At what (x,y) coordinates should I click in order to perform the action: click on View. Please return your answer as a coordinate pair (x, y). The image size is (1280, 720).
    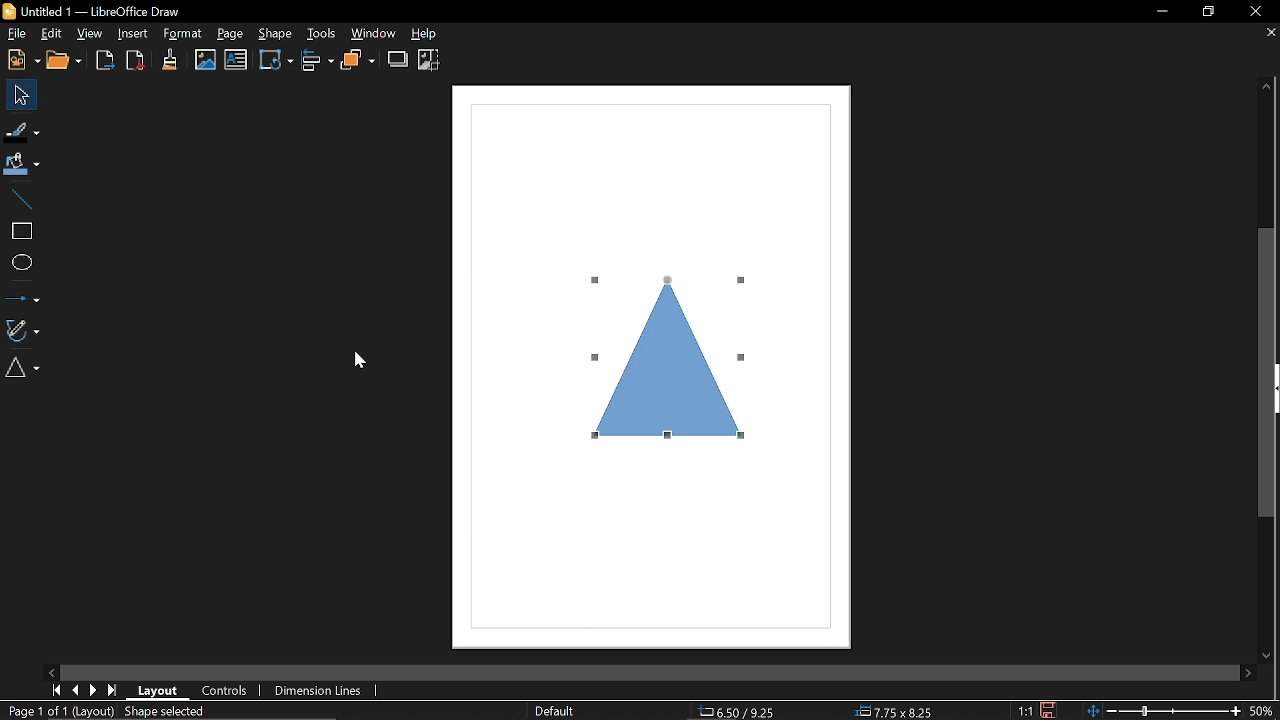
    Looking at the image, I should click on (90, 33).